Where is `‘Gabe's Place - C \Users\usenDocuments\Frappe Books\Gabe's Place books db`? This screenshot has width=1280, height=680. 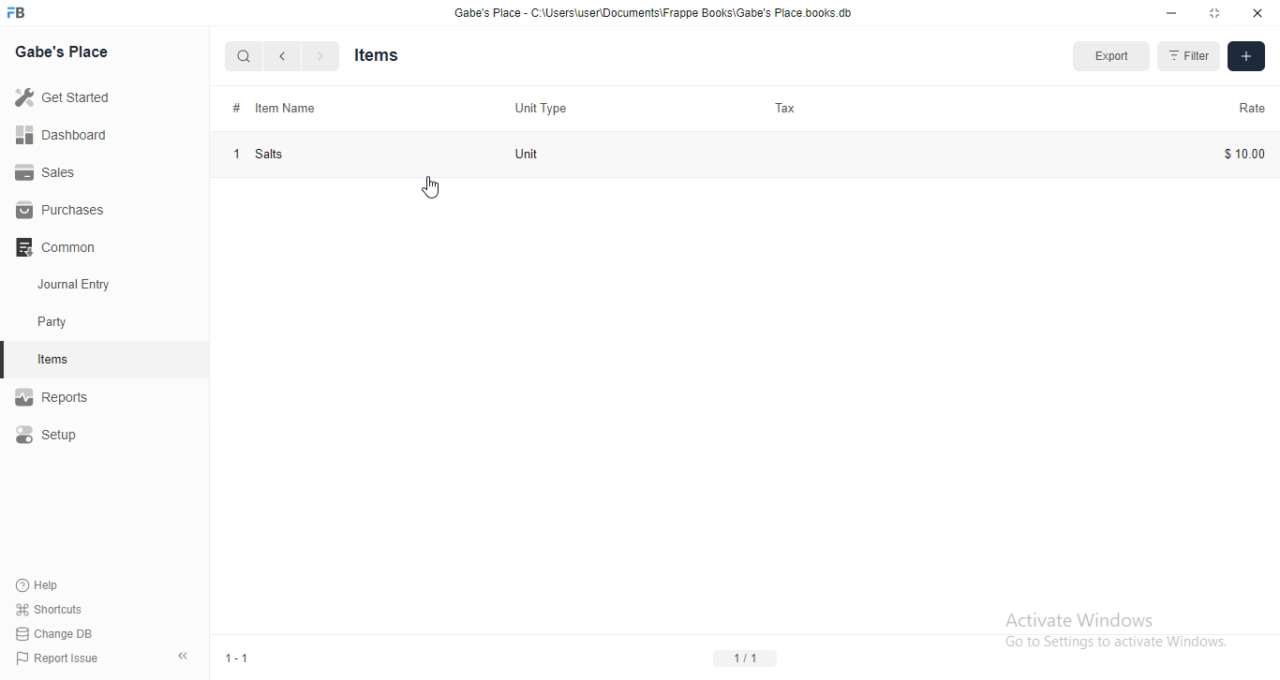 ‘Gabe's Place - C \Users\usenDocuments\Frappe Books\Gabe's Place books db is located at coordinates (654, 12).